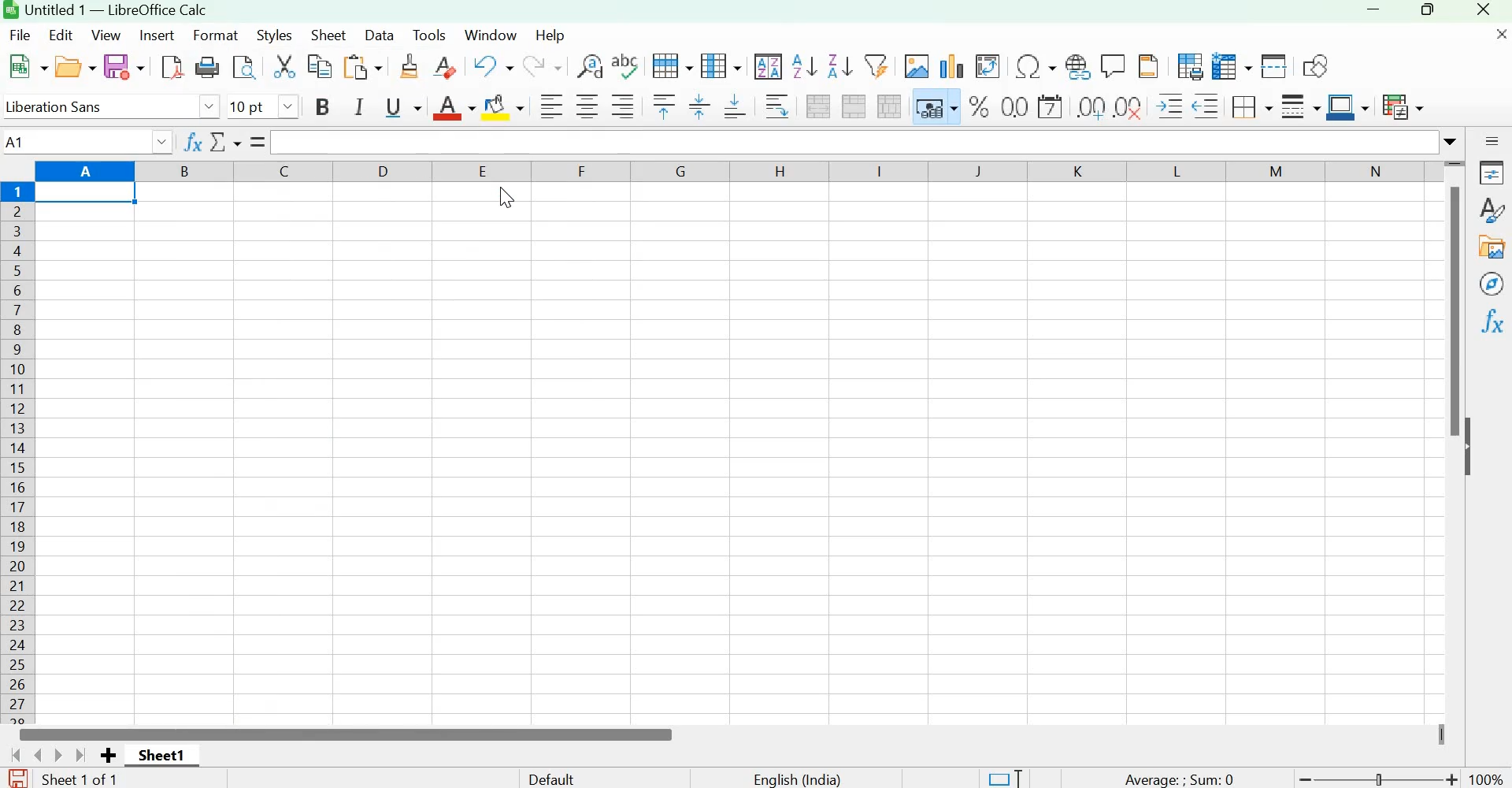 The width and height of the screenshot is (1512, 788). Describe the element at coordinates (505, 105) in the screenshot. I see `Background color` at that location.